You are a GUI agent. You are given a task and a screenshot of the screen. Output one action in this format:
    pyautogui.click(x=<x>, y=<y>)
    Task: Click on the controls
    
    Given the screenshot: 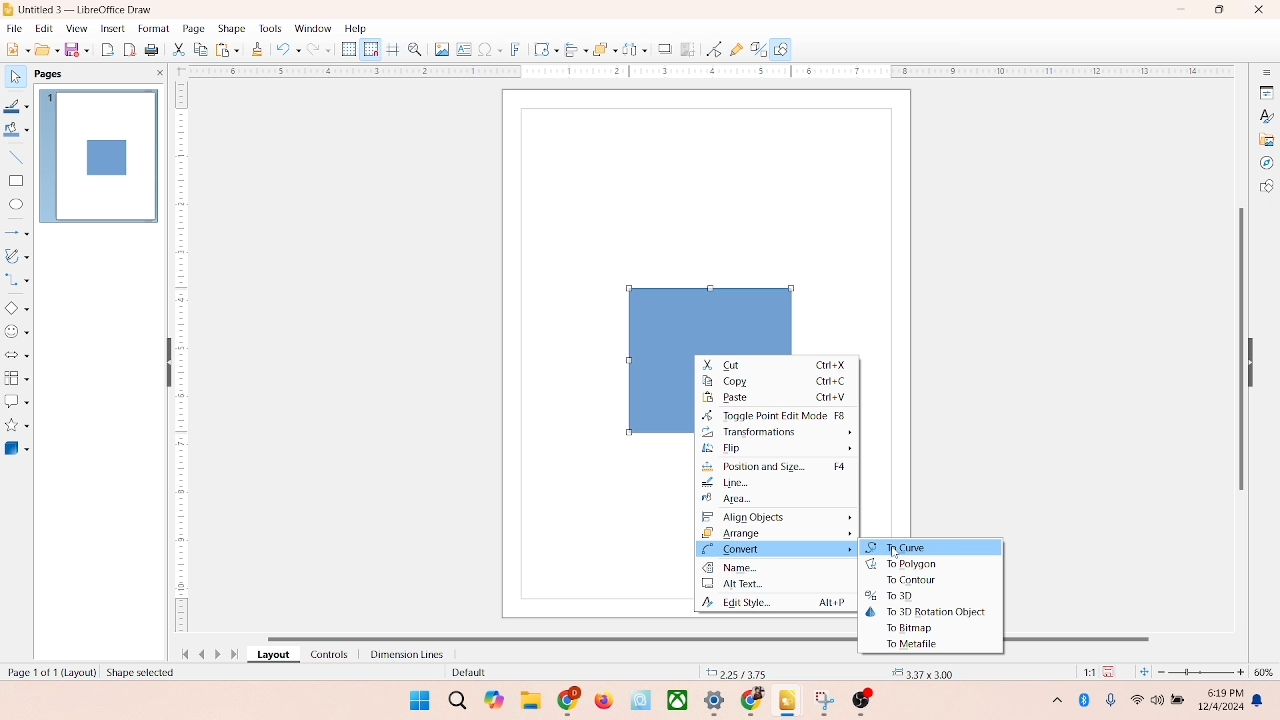 What is the action you would take?
    pyautogui.click(x=324, y=654)
    